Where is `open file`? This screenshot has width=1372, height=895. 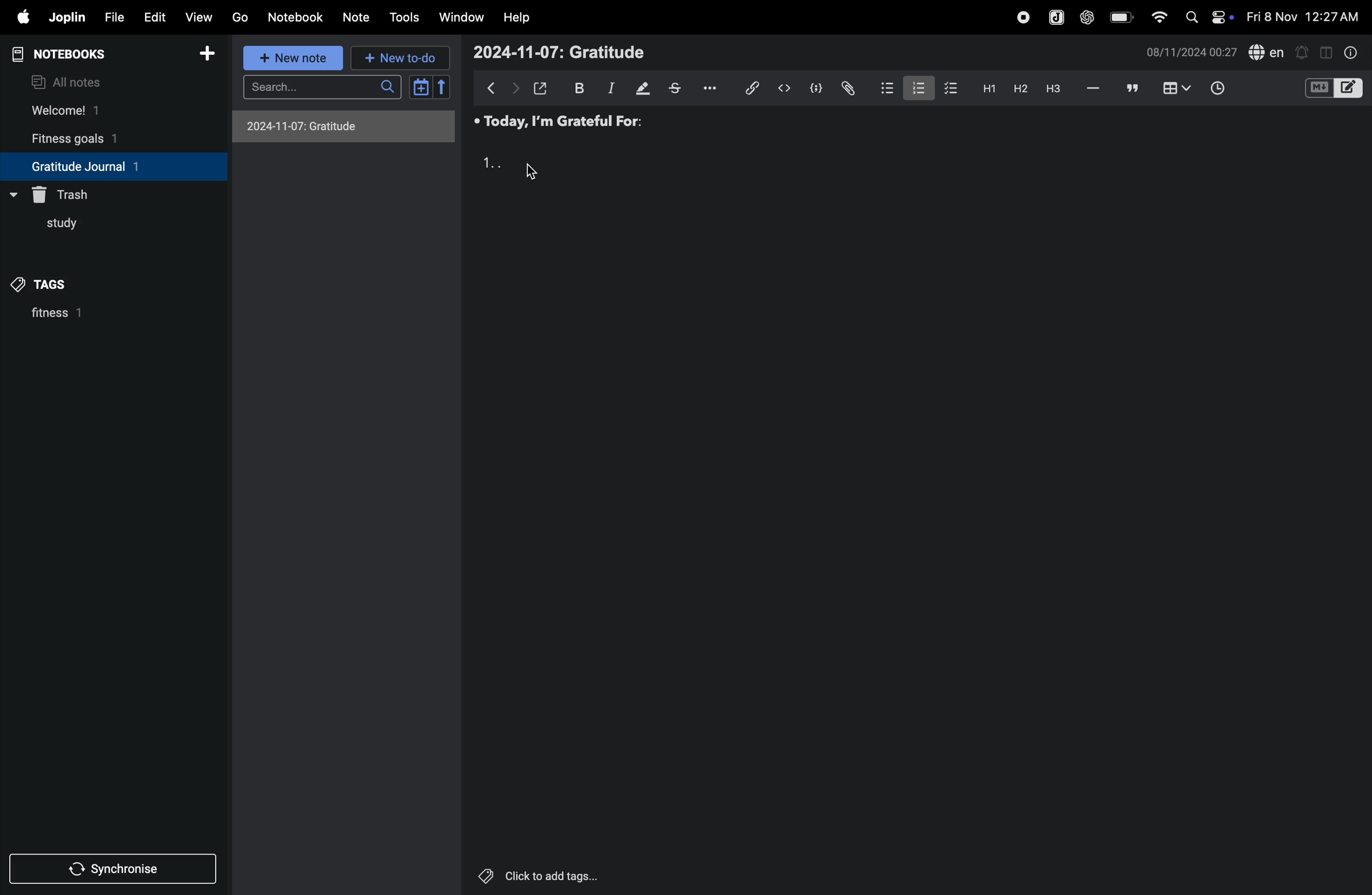
open file is located at coordinates (541, 87).